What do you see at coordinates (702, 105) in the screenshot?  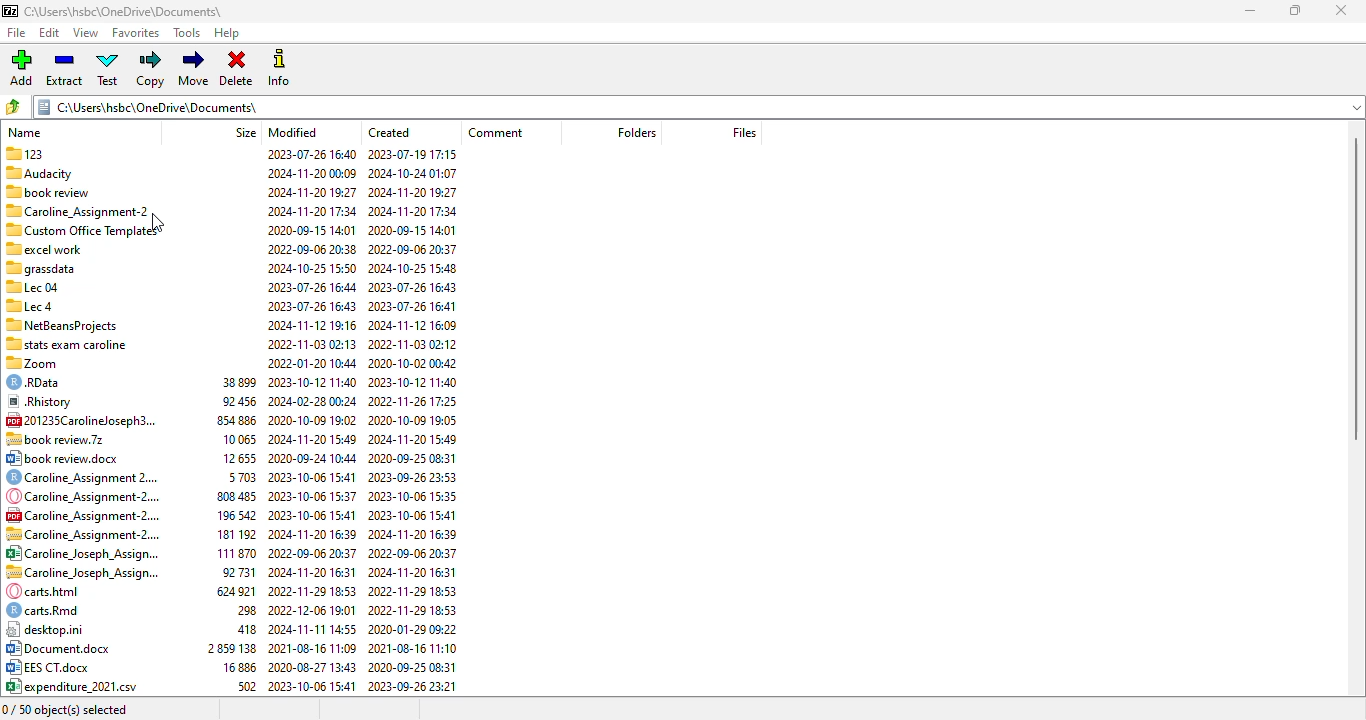 I see `i C\Users\hsbc\OneDrive\Documents\` at bounding box center [702, 105].